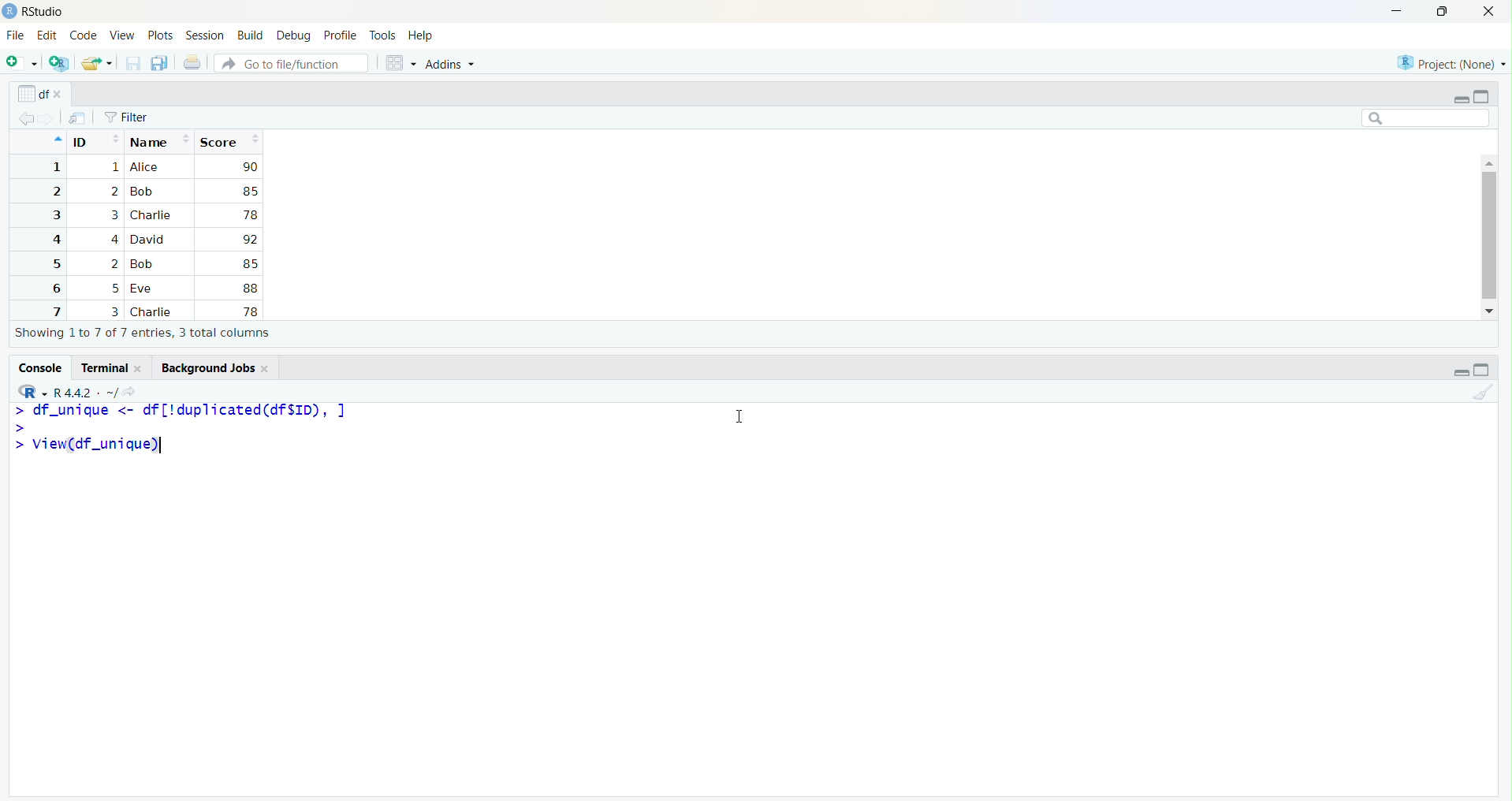 Image resolution: width=1512 pixels, height=801 pixels. I want to click on Profile, so click(341, 36).